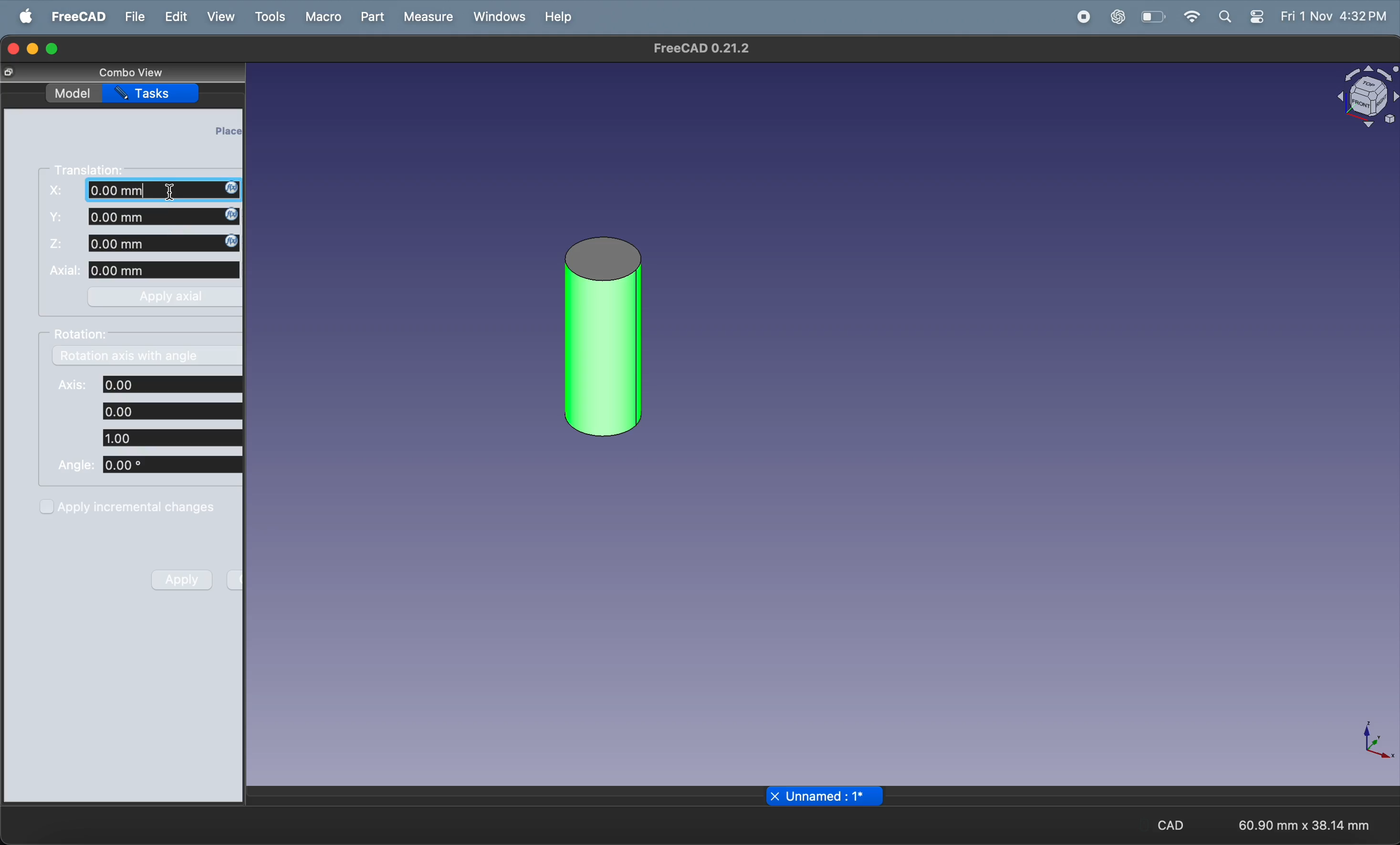  I want to click on model, so click(74, 94).